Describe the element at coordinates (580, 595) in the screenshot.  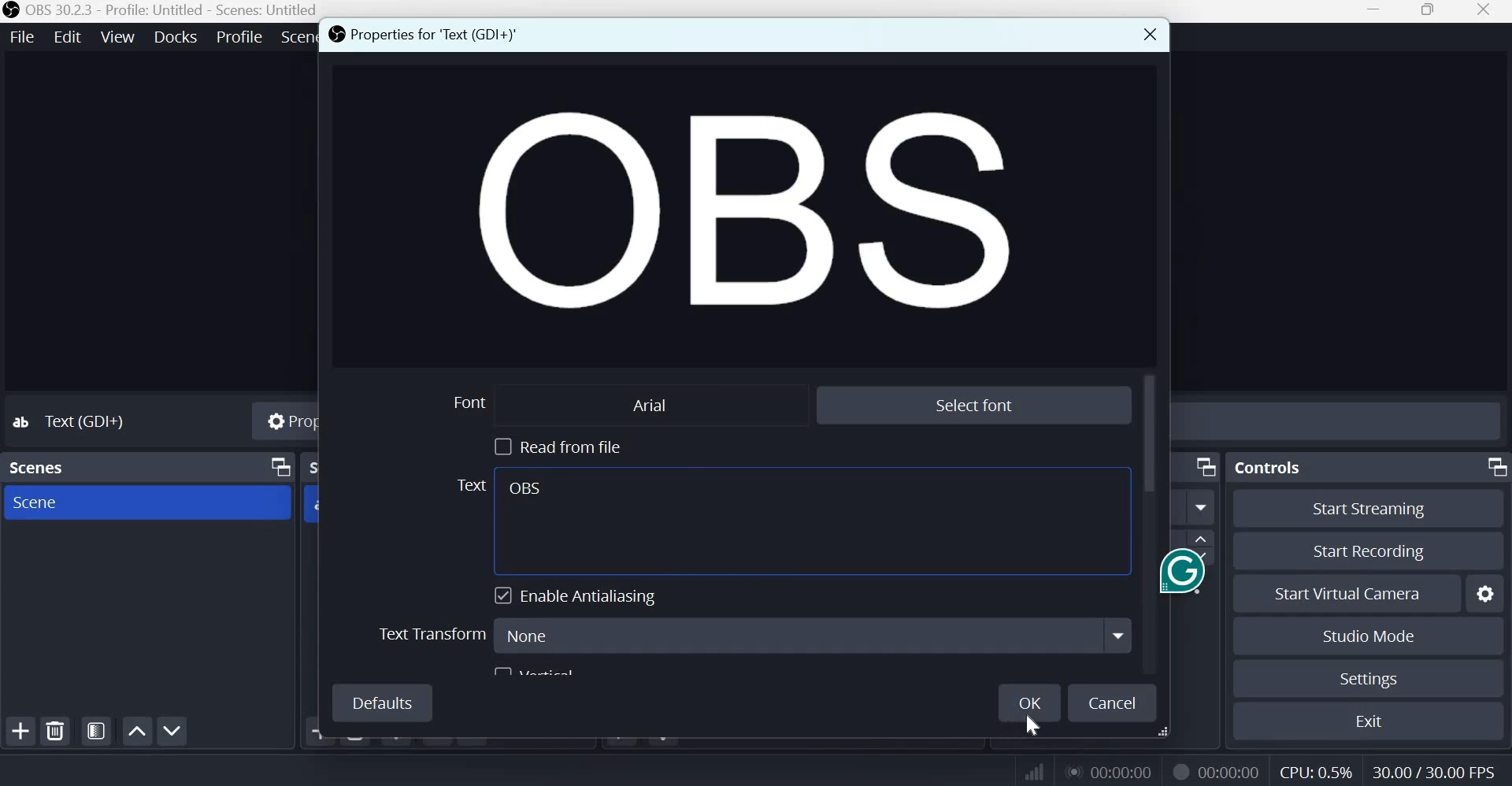
I see `Enable Antialiasing` at that location.